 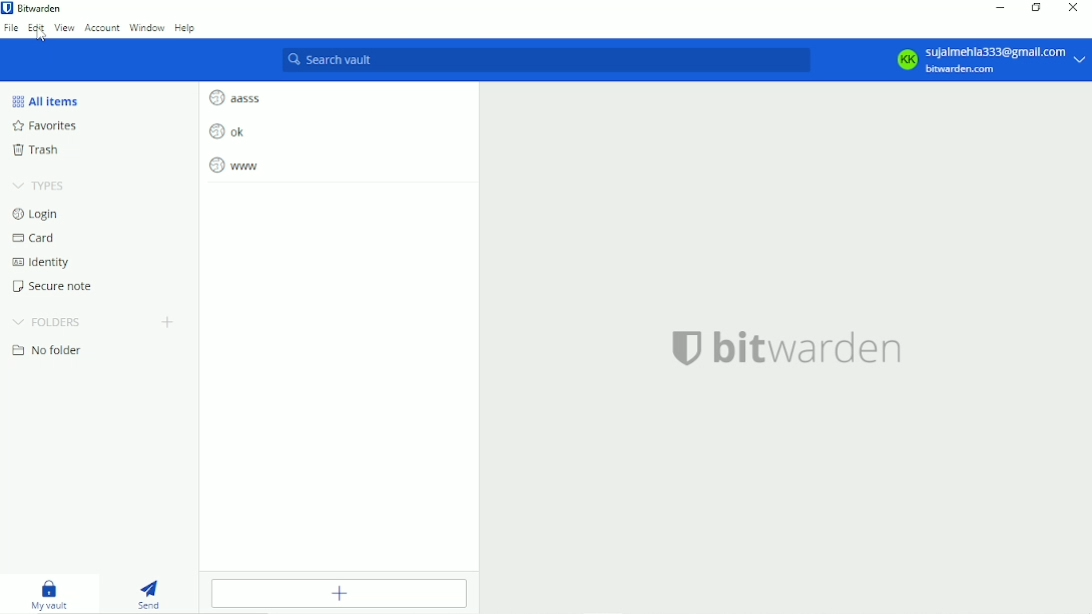 What do you see at coordinates (227, 131) in the screenshot?
I see `ok` at bounding box center [227, 131].